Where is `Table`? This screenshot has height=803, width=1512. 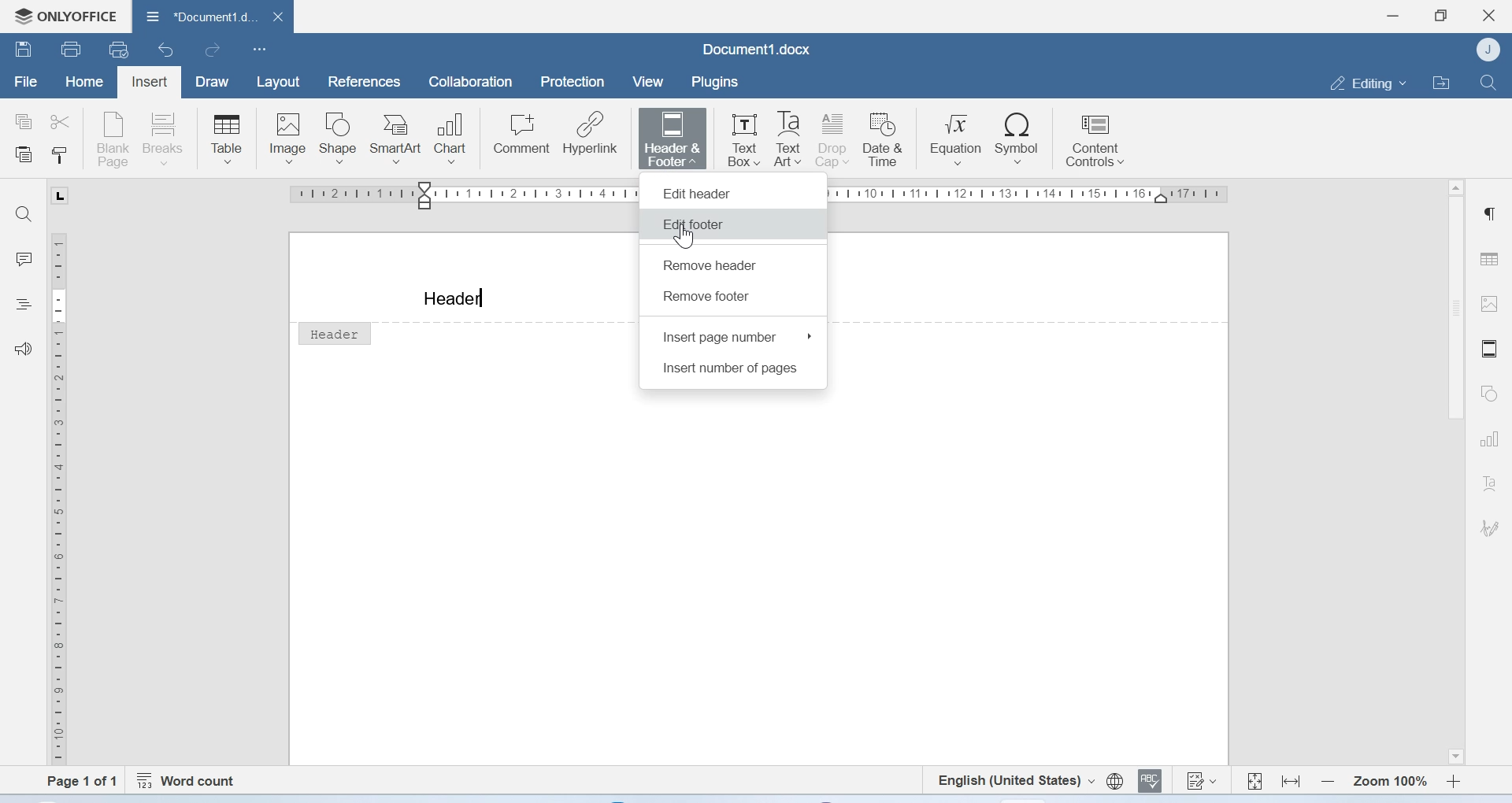
Table is located at coordinates (226, 138).